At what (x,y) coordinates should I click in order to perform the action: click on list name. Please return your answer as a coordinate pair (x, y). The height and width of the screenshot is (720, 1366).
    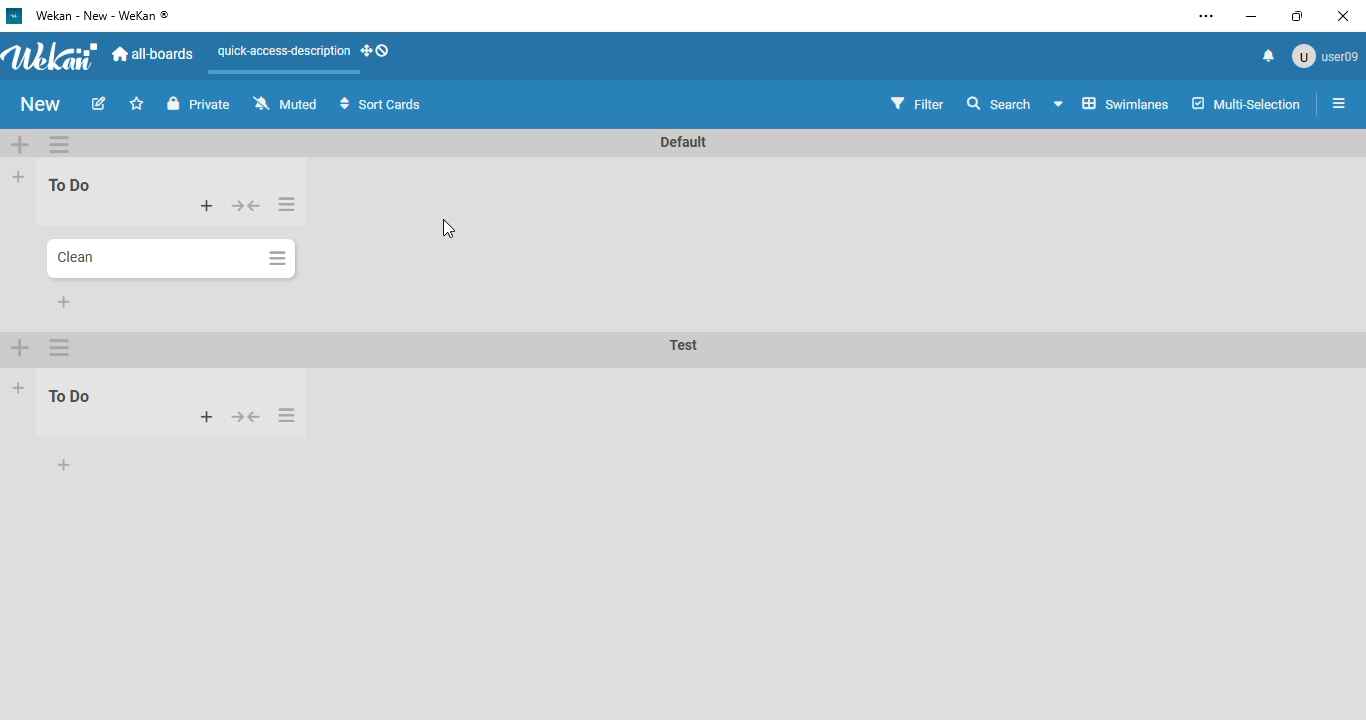
    Looking at the image, I should click on (69, 395).